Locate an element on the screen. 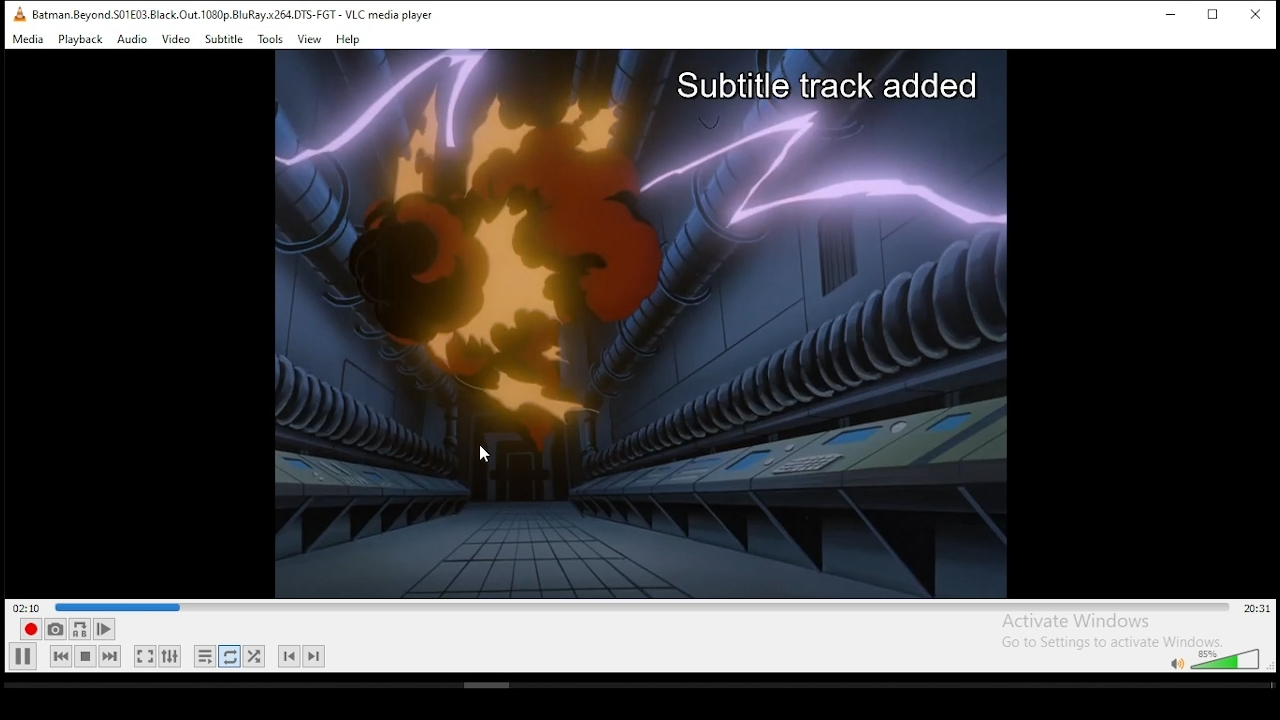 The image size is (1280, 720). mouse pointer is located at coordinates (485, 456).